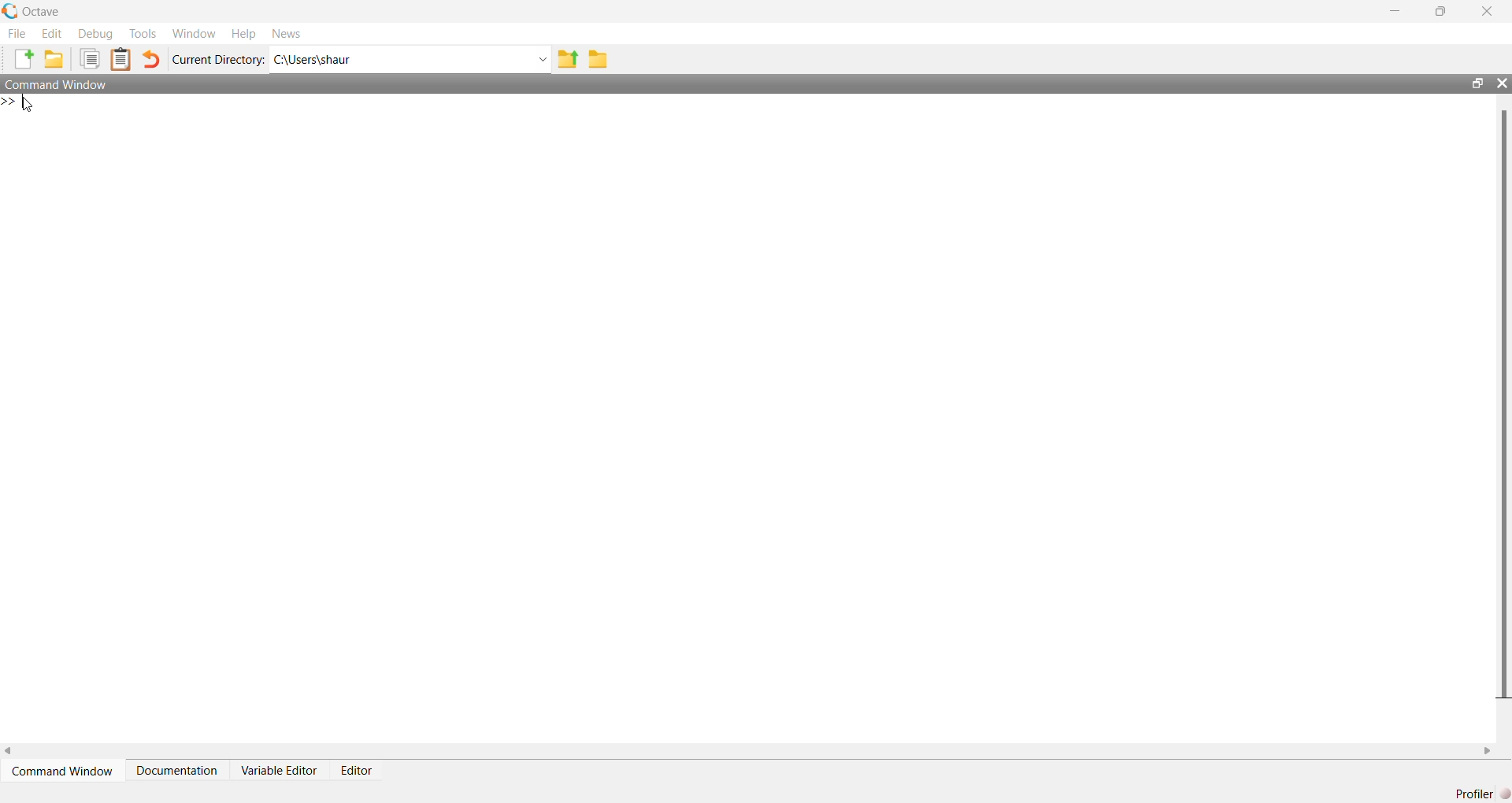 Image resolution: width=1512 pixels, height=803 pixels. Describe the element at coordinates (28, 105) in the screenshot. I see `cursor` at that location.